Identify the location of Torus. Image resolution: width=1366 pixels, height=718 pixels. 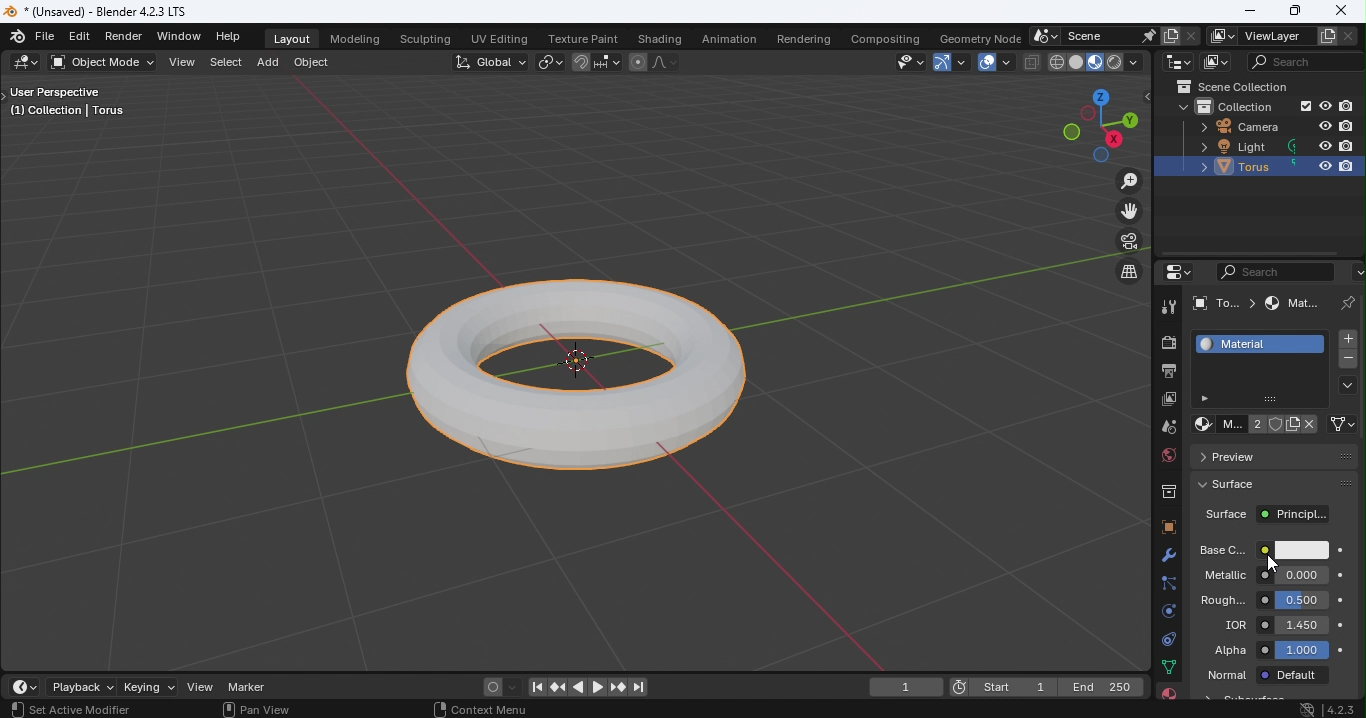
(1216, 167).